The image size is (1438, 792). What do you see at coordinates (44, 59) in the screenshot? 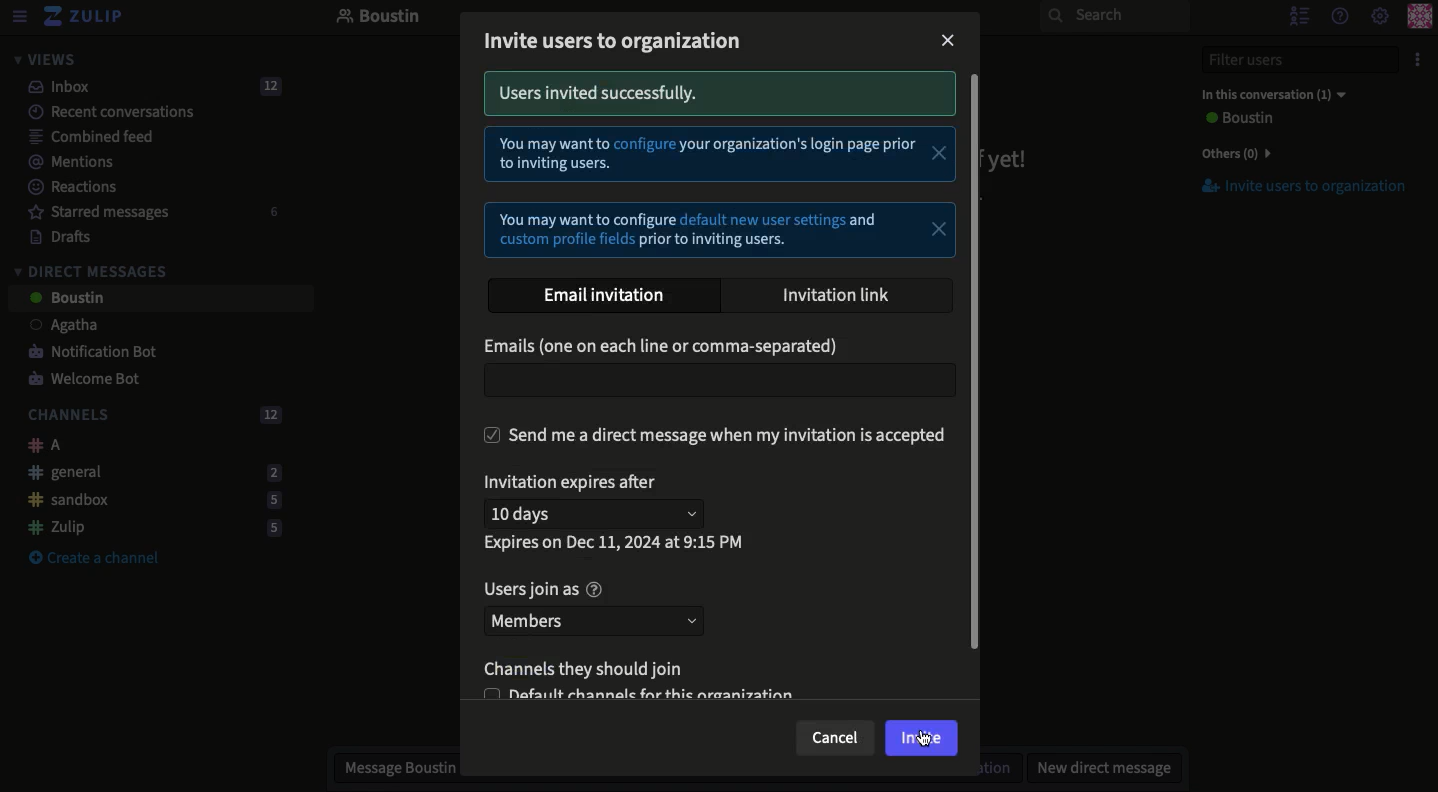
I see `Views` at bounding box center [44, 59].